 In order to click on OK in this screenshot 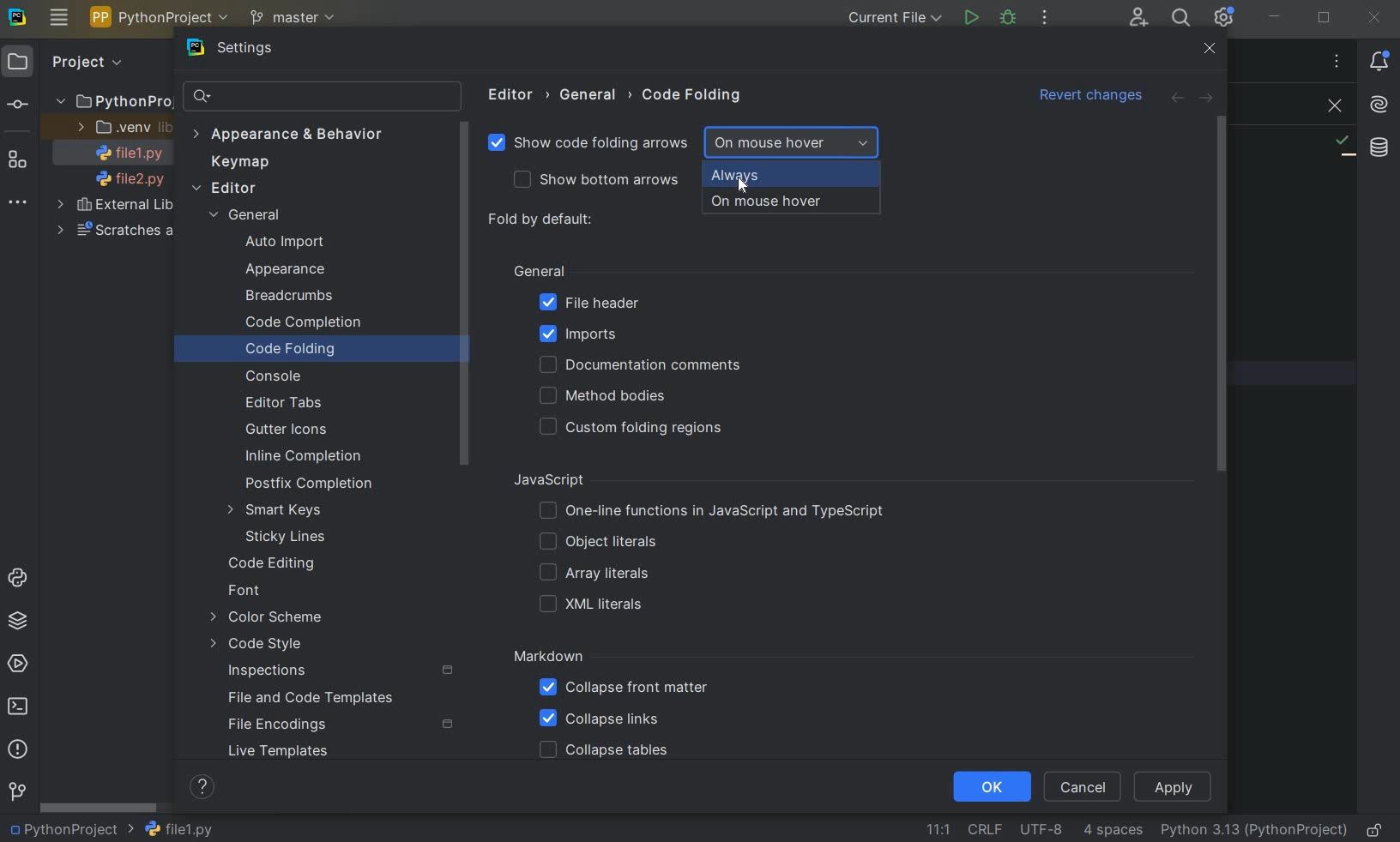, I will do `click(990, 788)`.